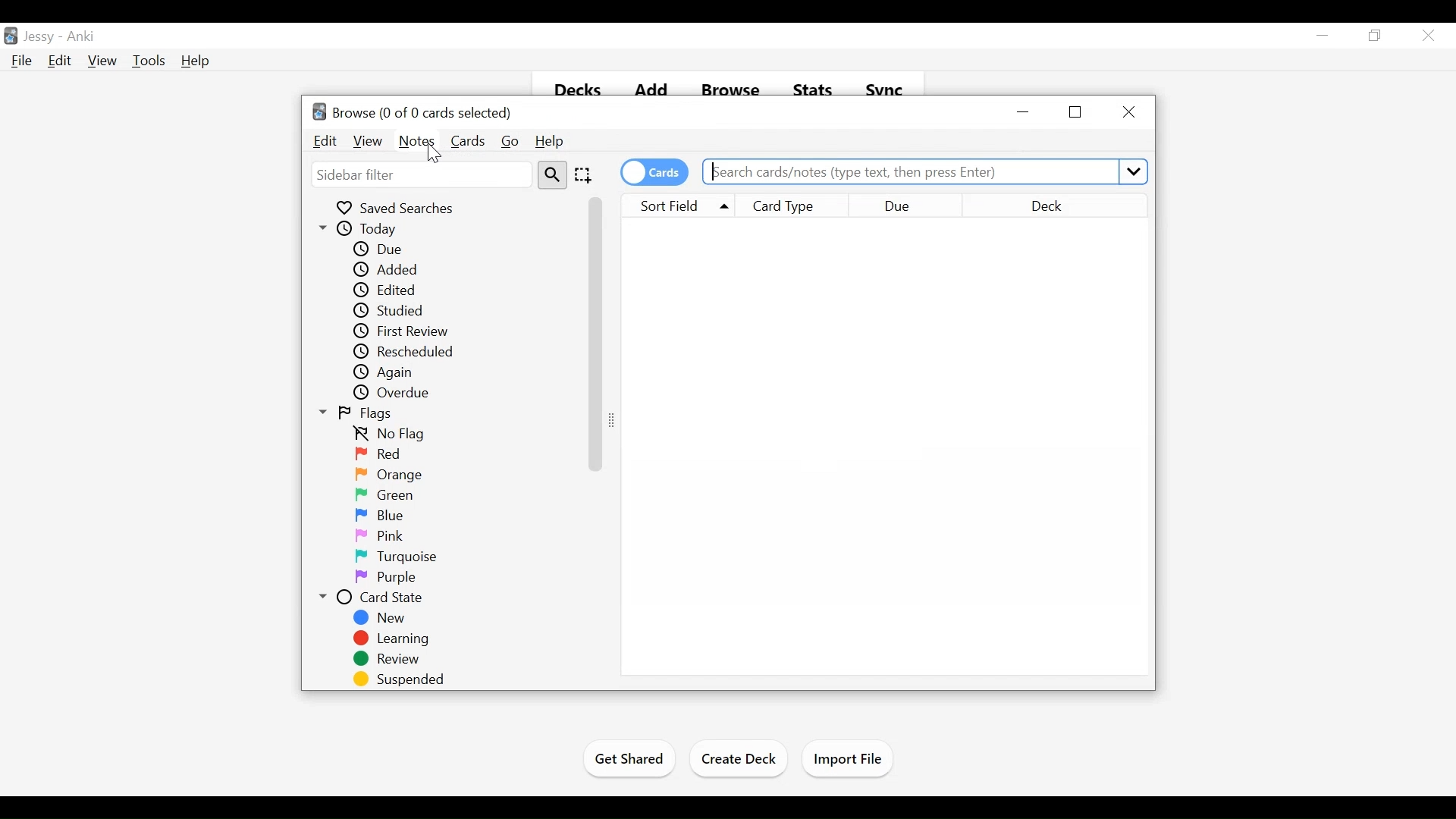  I want to click on Restore, so click(1077, 112).